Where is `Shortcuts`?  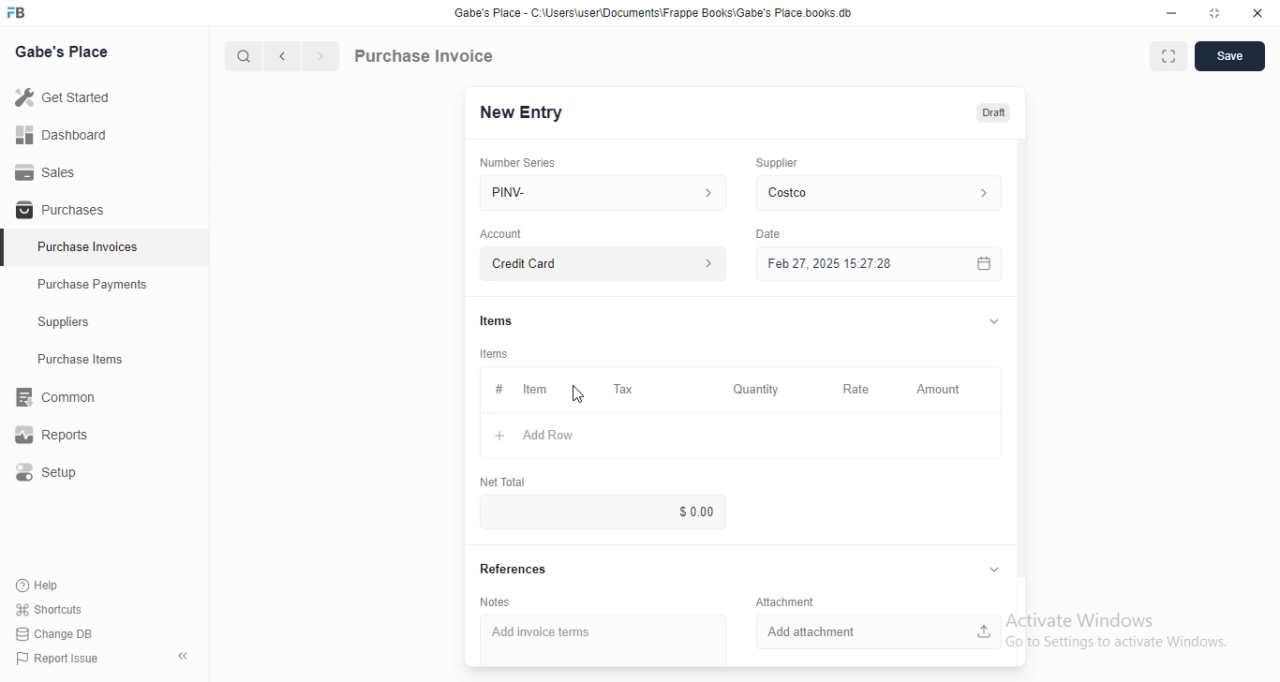 Shortcuts is located at coordinates (50, 609).